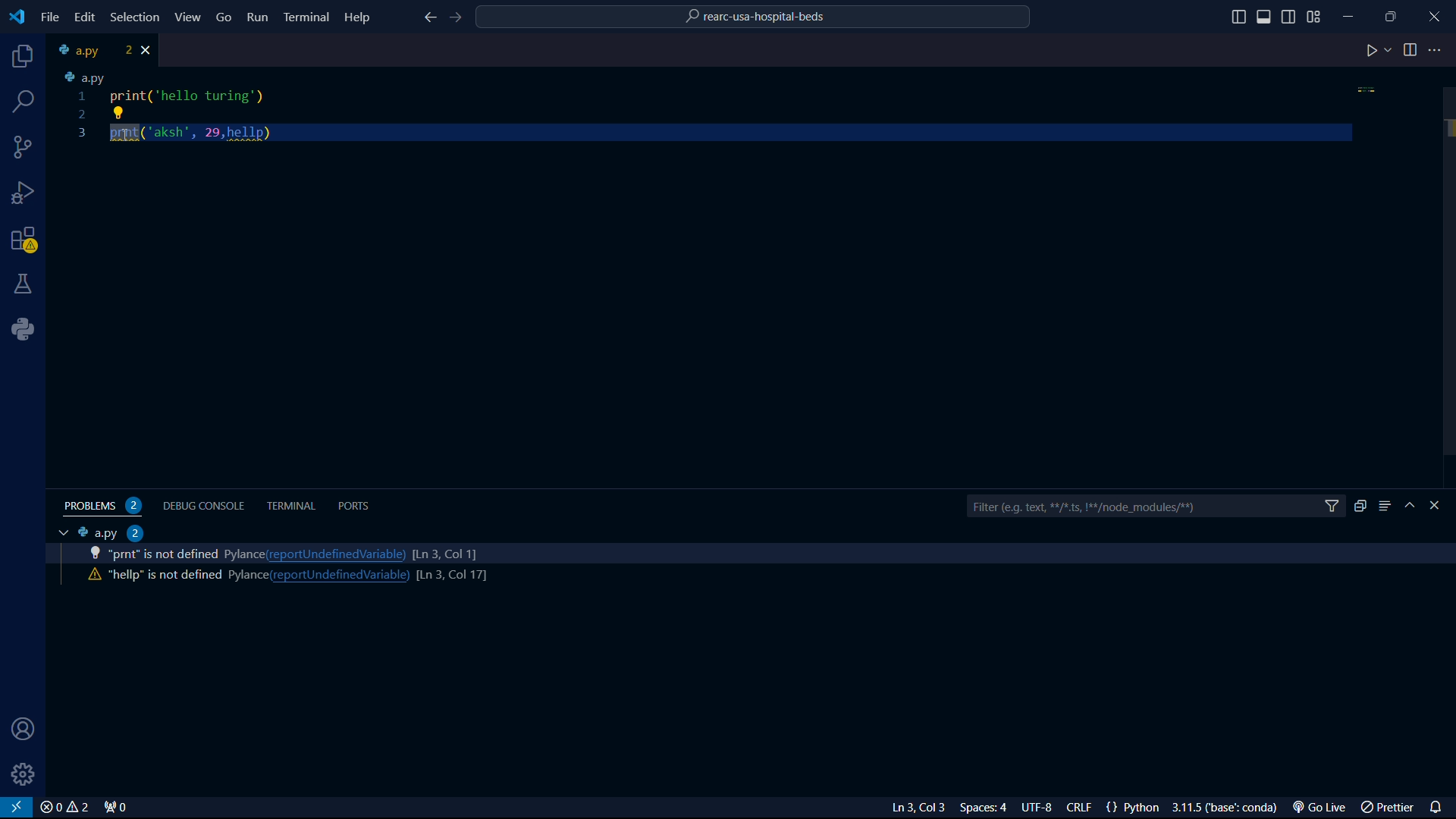 This screenshot has width=1456, height=819. I want to click on code python, so click(717, 108).